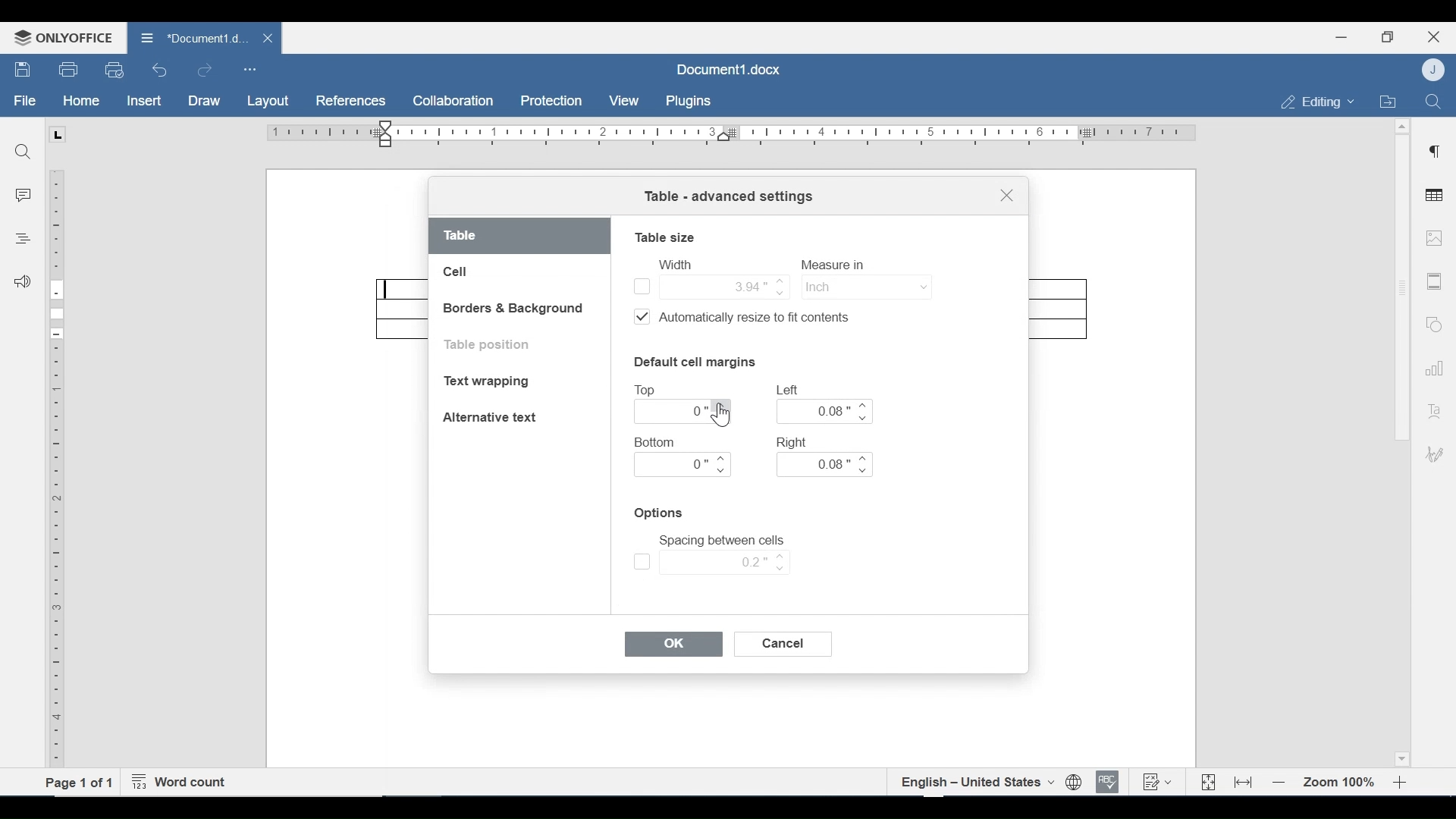 The image size is (1456, 819). What do you see at coordinates (350, 101) in the screenshot?
I see `References` at bounding box center [350, 101].